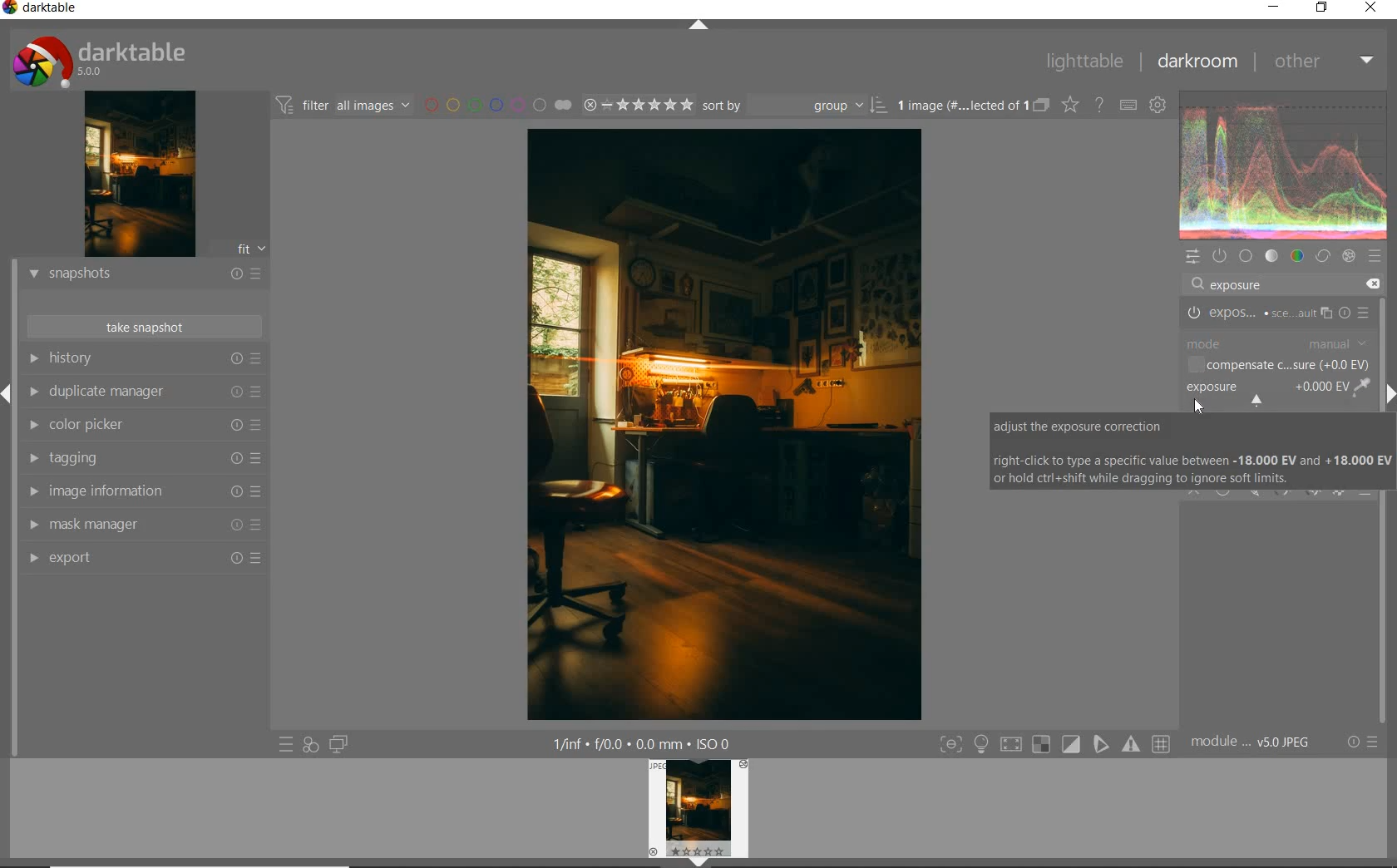  I want to click on other, so click(1325, 61).